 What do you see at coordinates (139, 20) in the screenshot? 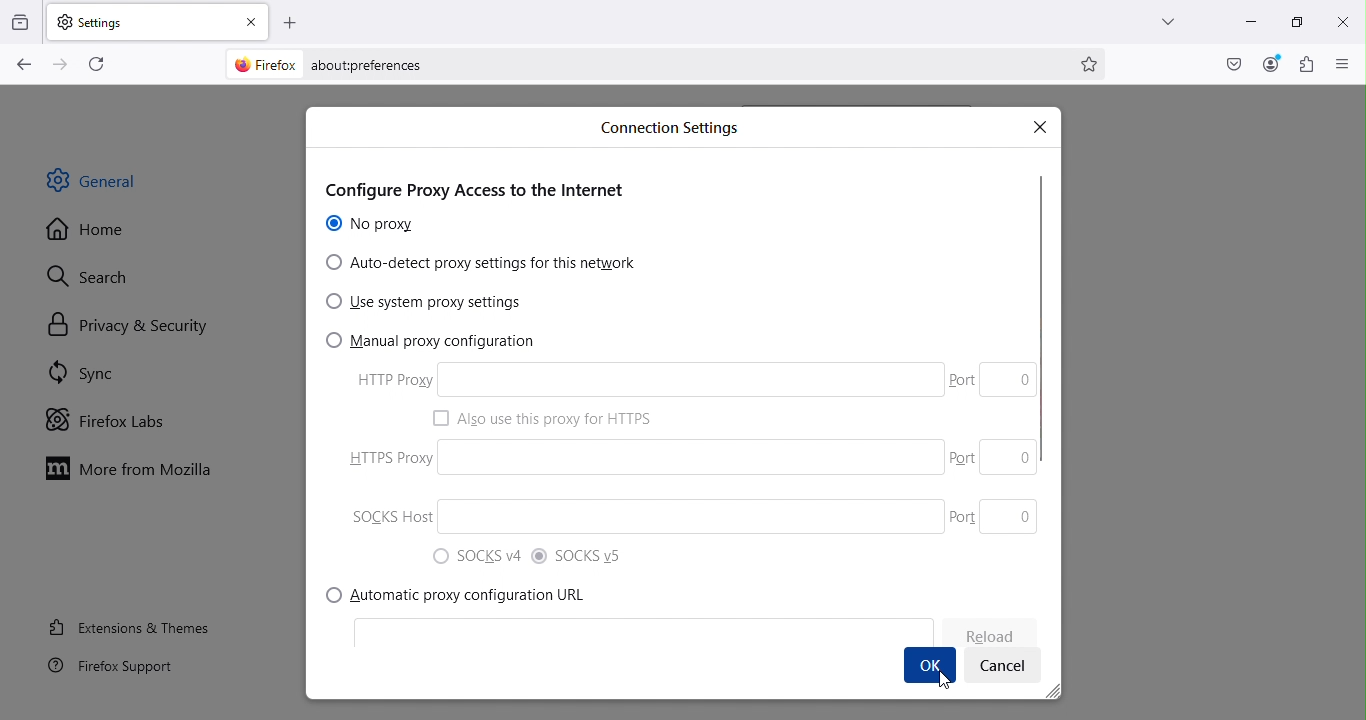
I see `Settings tab` at bounding box center [139, 20].